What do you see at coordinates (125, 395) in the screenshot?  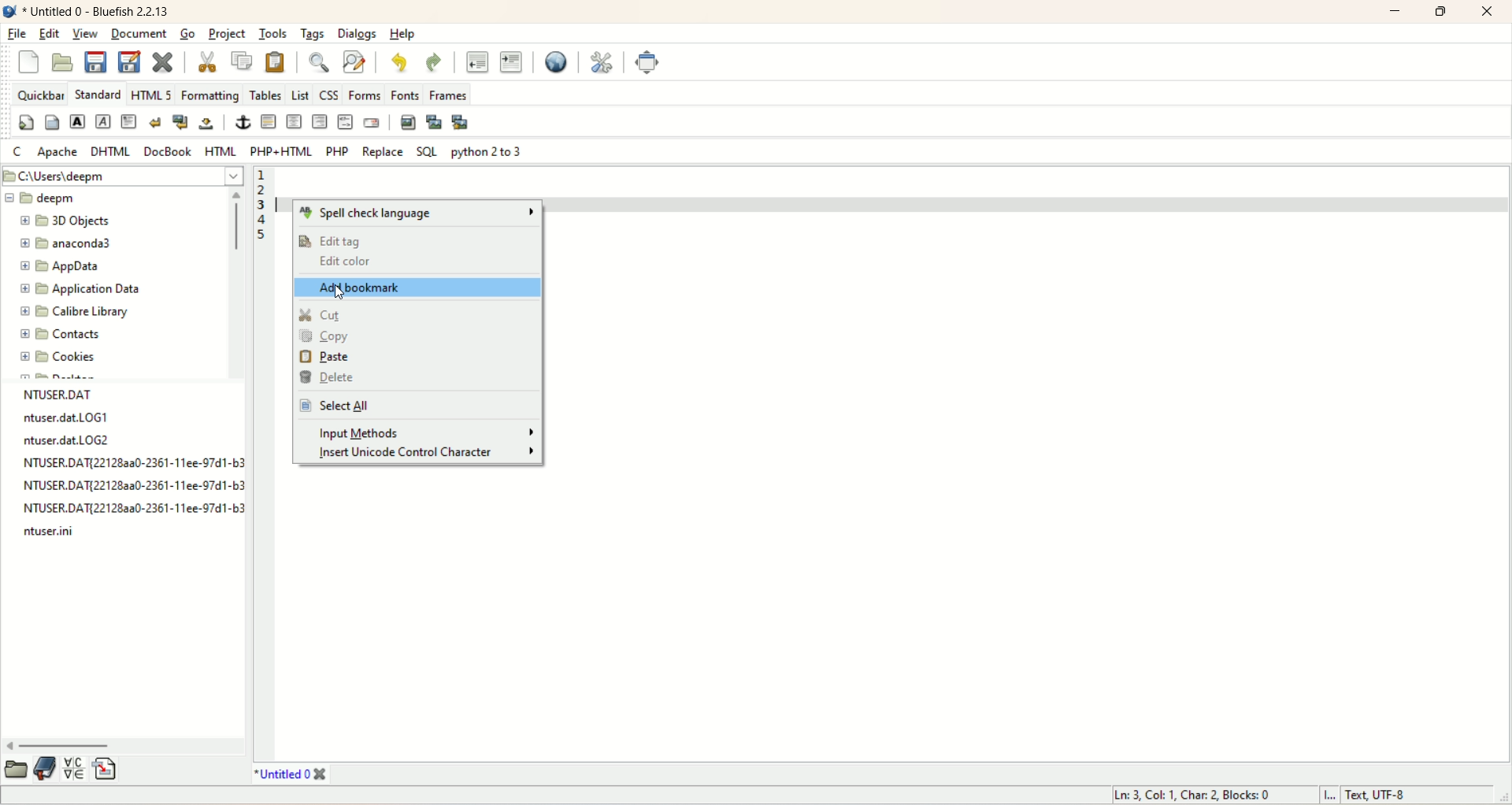 I see `file name` at bounding box center [125, 395].